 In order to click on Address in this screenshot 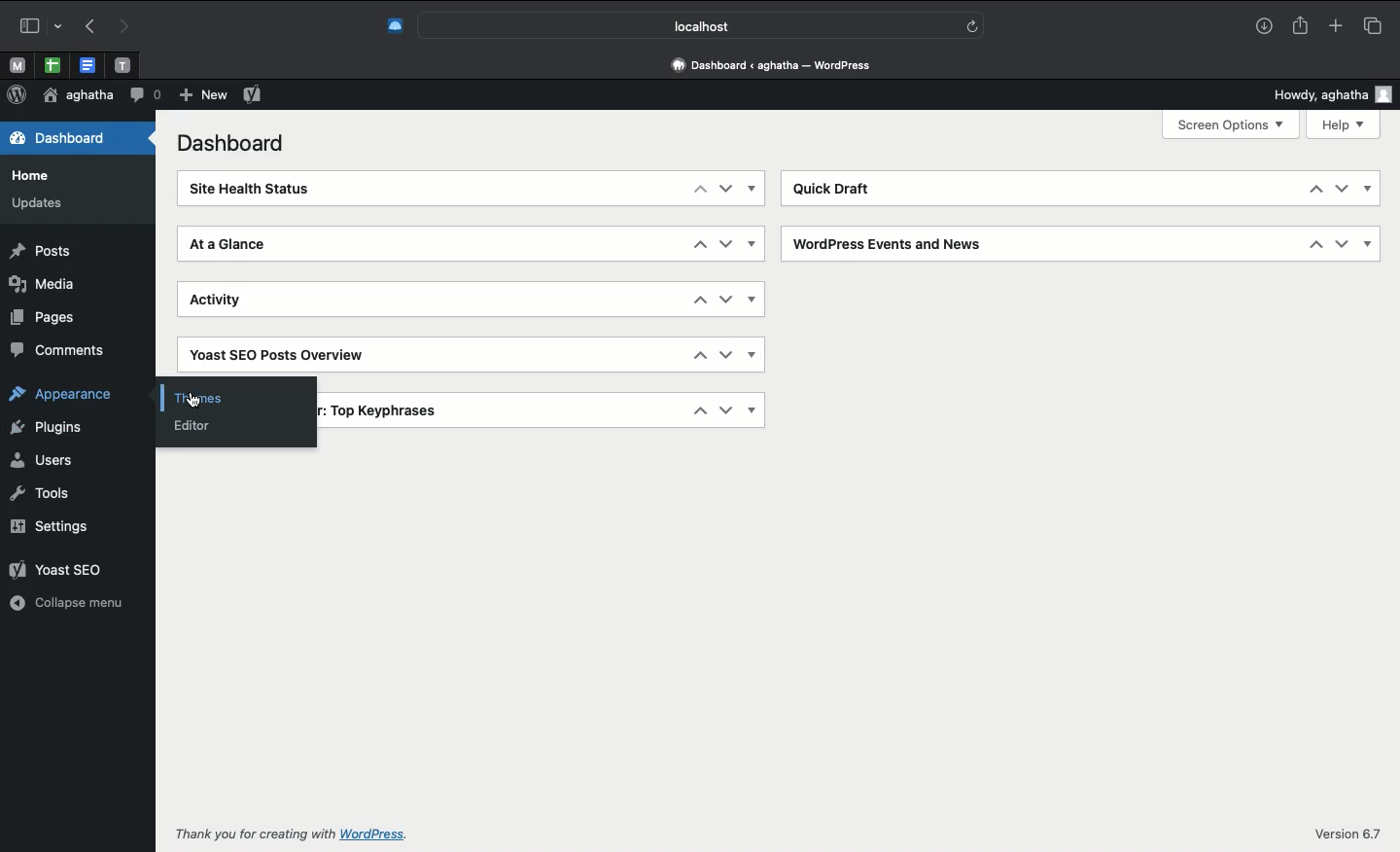, I will do `click(768, 66)`.